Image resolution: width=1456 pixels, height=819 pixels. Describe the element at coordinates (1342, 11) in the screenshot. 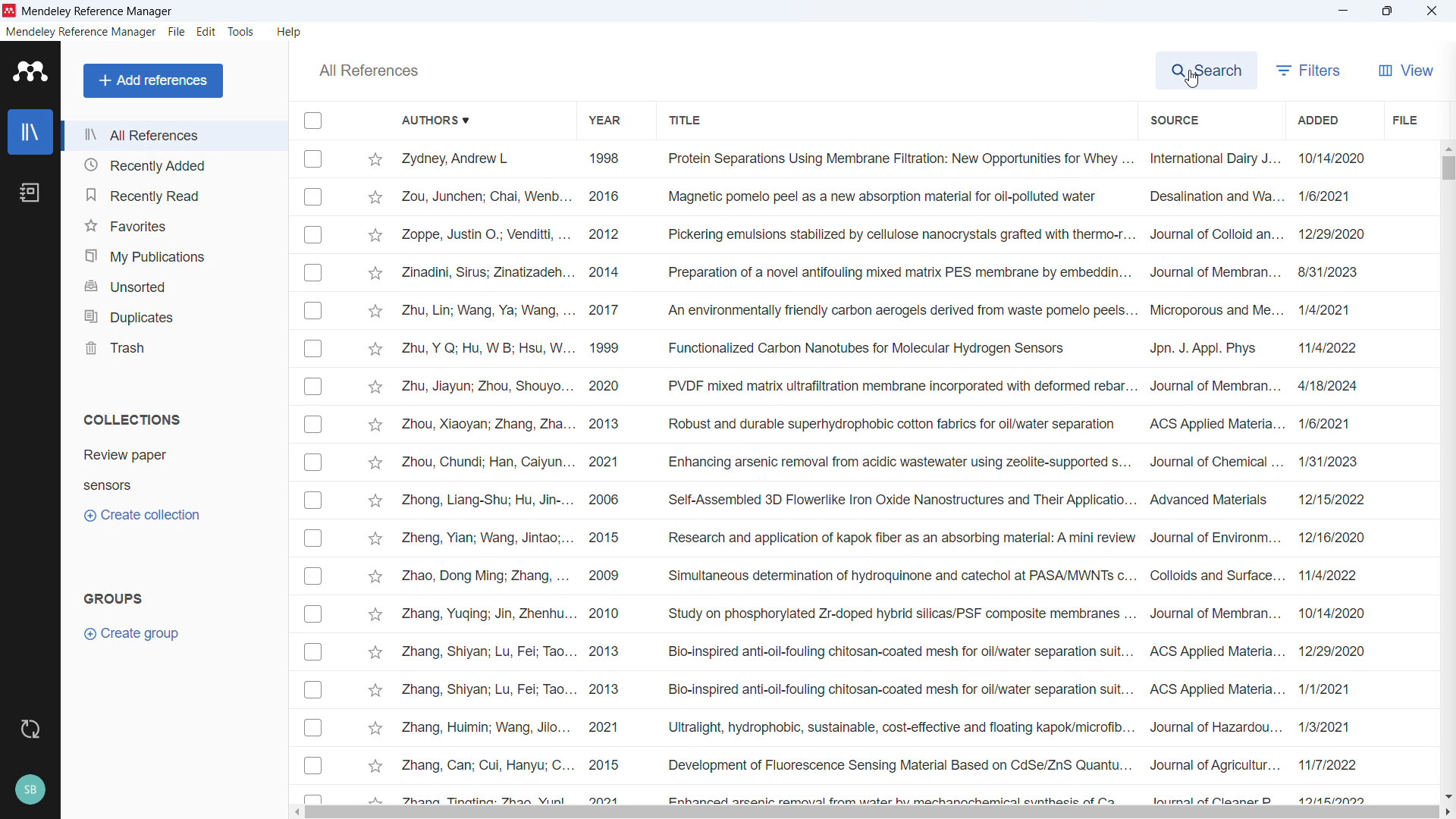

I see `minimise ` at that location.